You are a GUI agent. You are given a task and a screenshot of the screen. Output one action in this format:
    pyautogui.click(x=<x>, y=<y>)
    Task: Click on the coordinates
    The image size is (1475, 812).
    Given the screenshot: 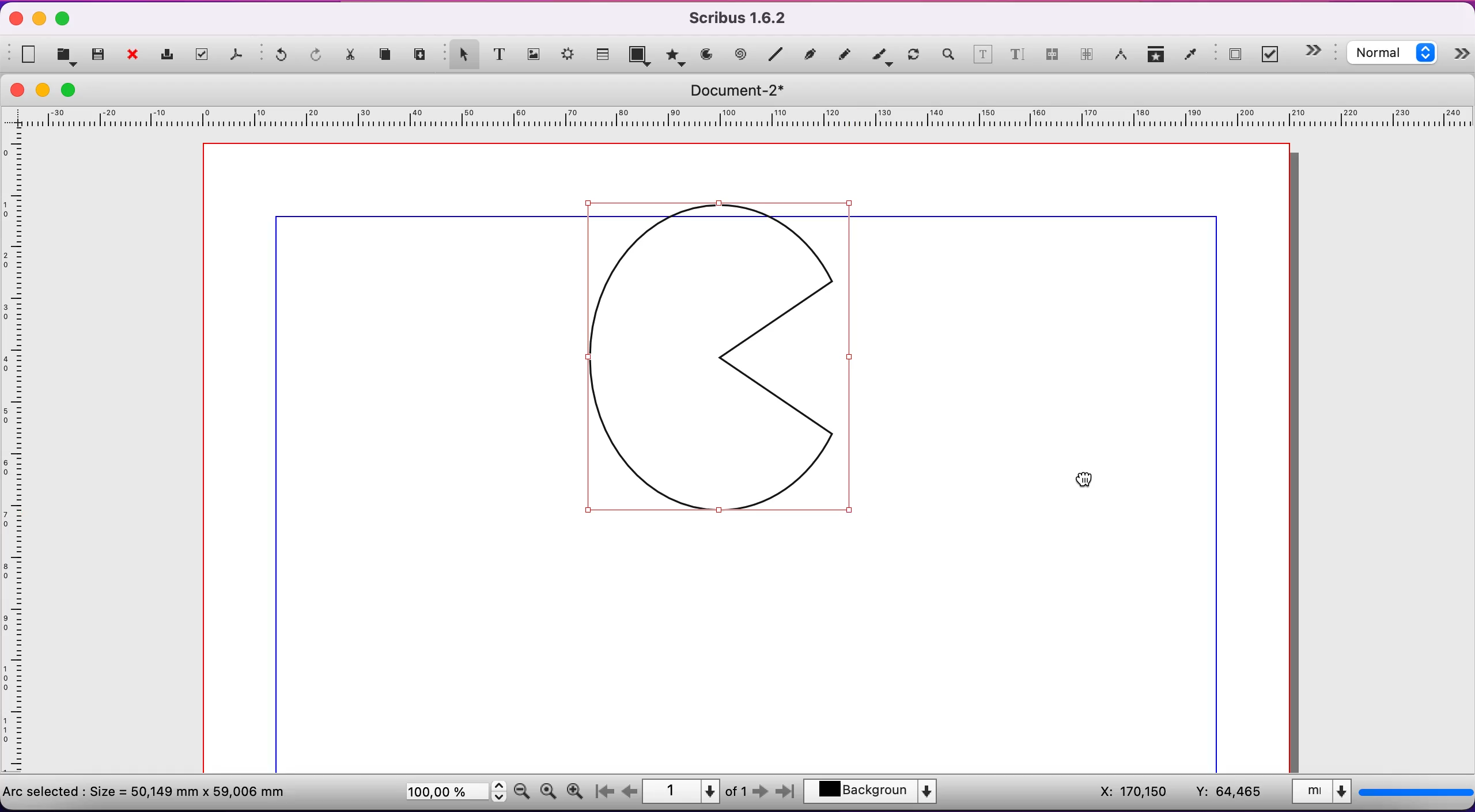 What is the action you would take?
    pyautogui.click(x=1175, y=792)
    